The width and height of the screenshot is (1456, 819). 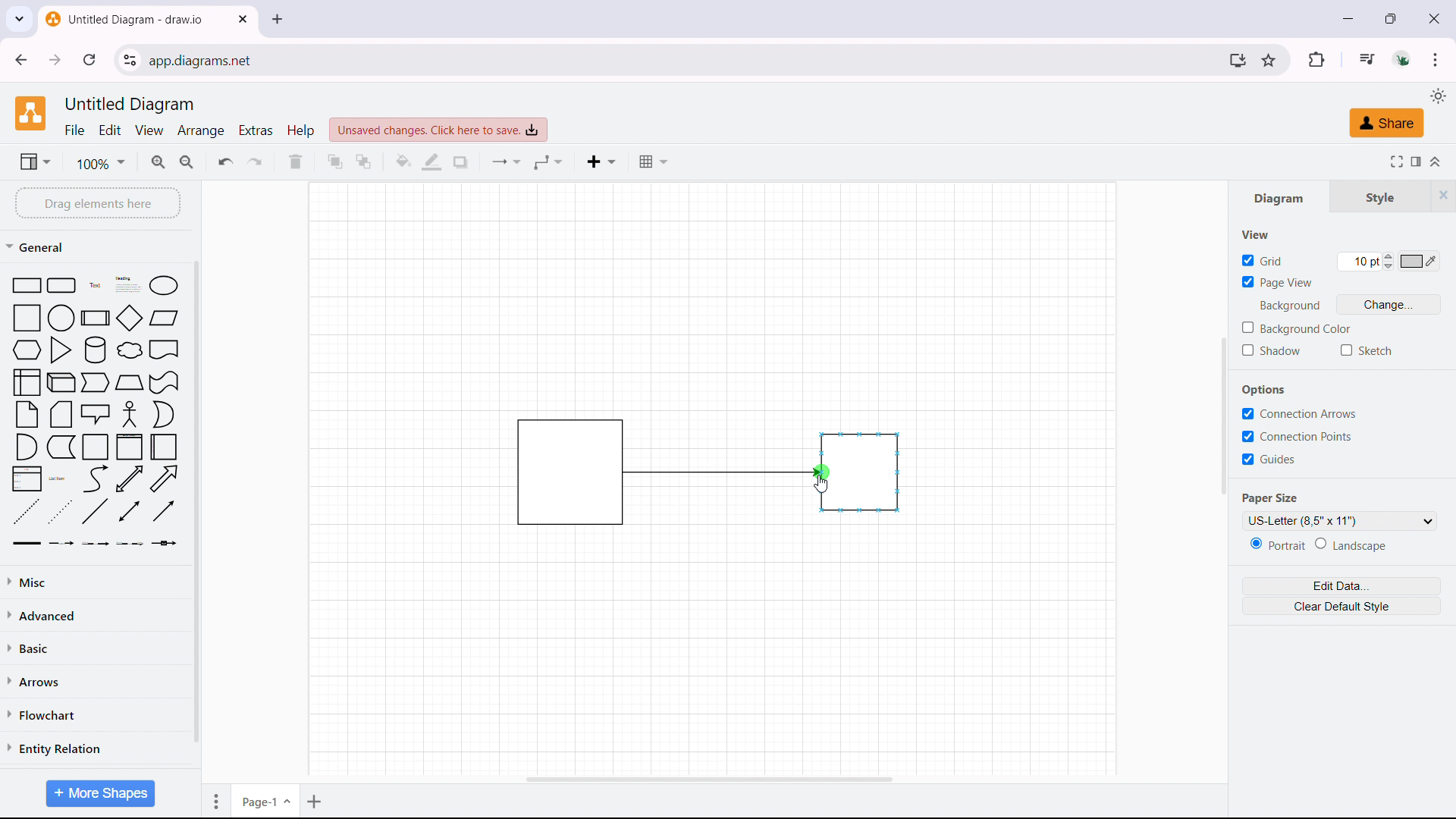 What do you see at coordinates (1420, 261) in the screenshot?
I see `grid color` at bounding box center [1420, 261].